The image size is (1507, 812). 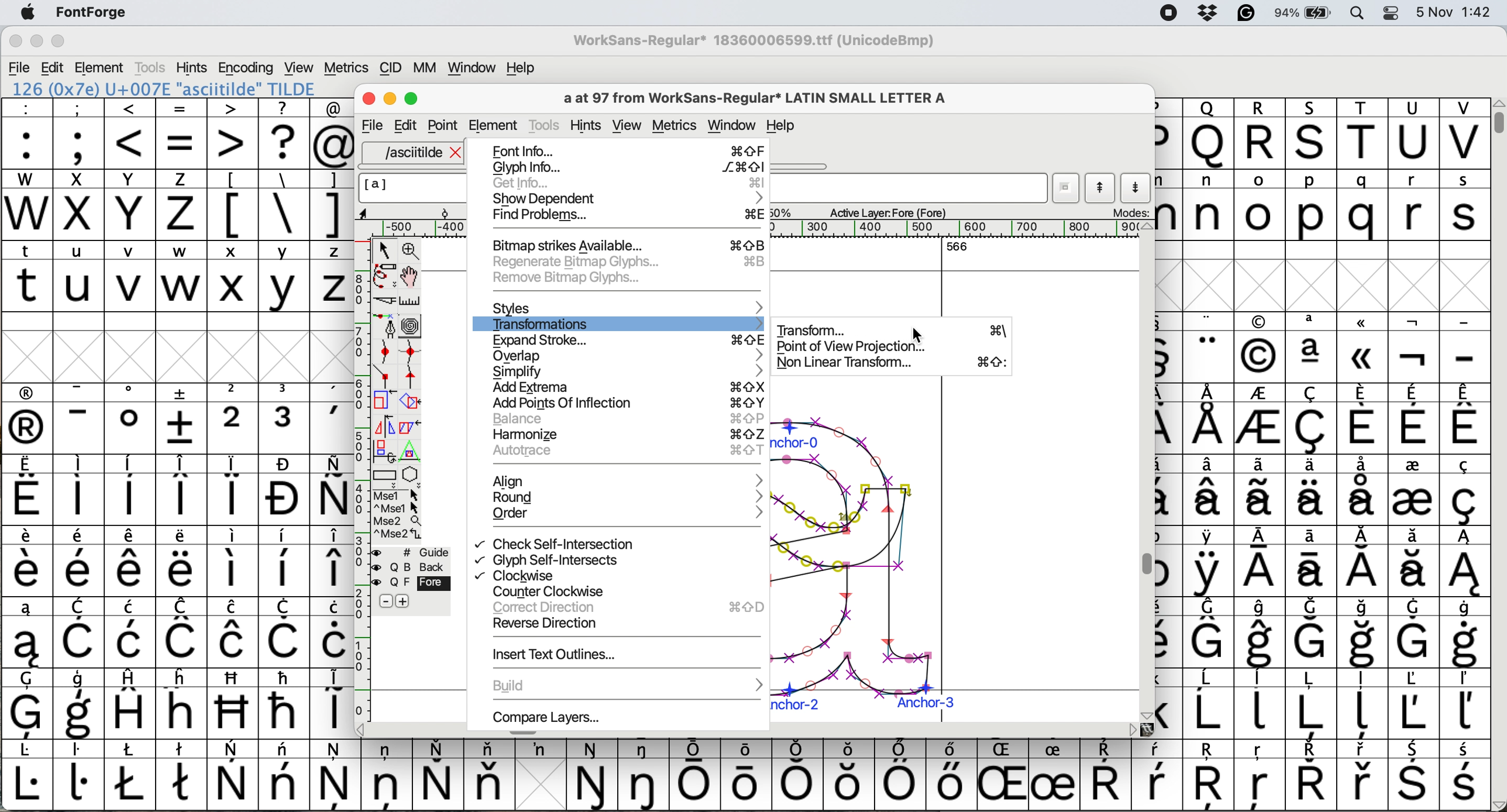 I want to click on symbol, so click(x=1208, y=562).